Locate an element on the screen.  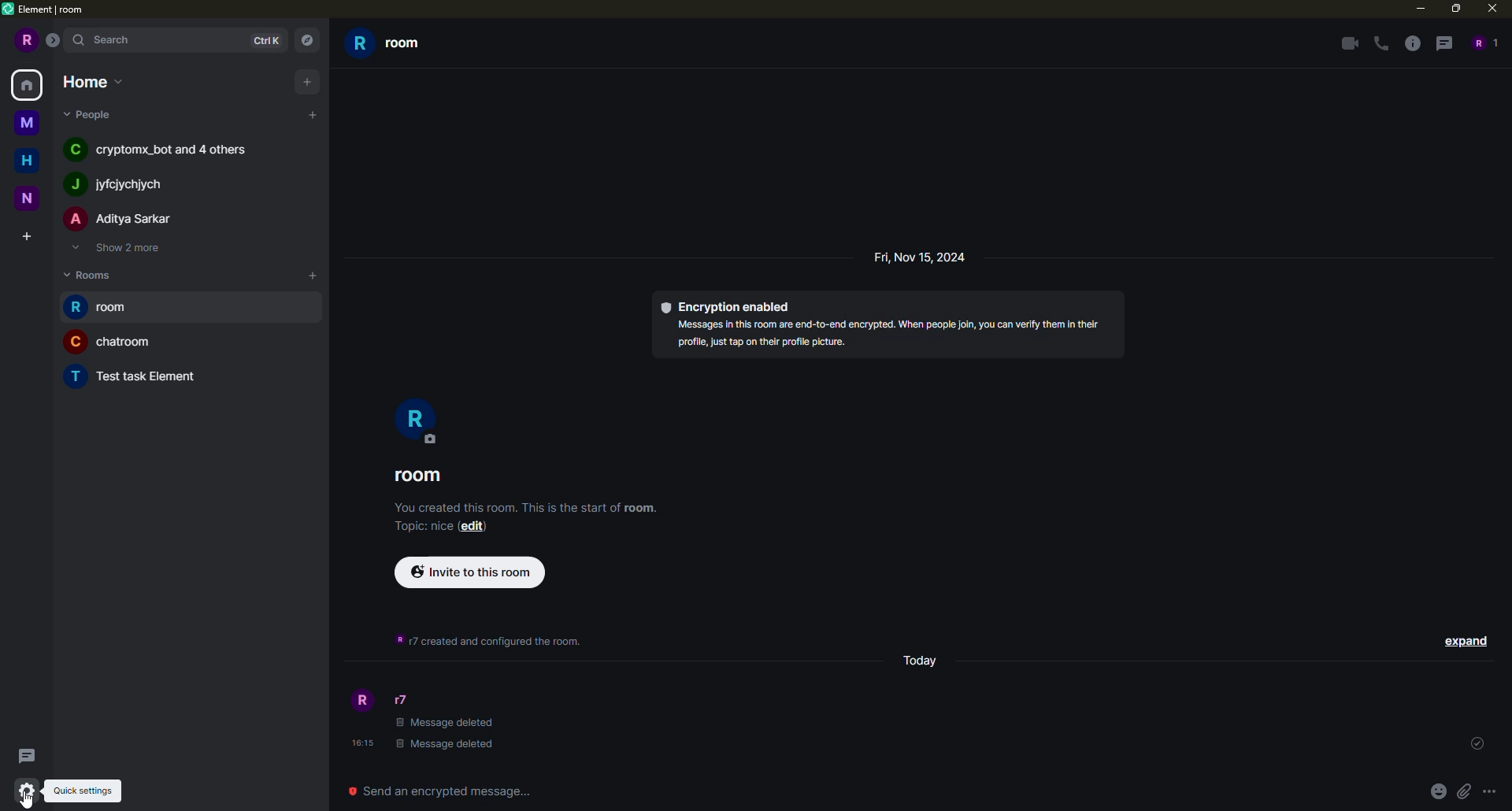
quick settings is located at coordinates (83, 791).